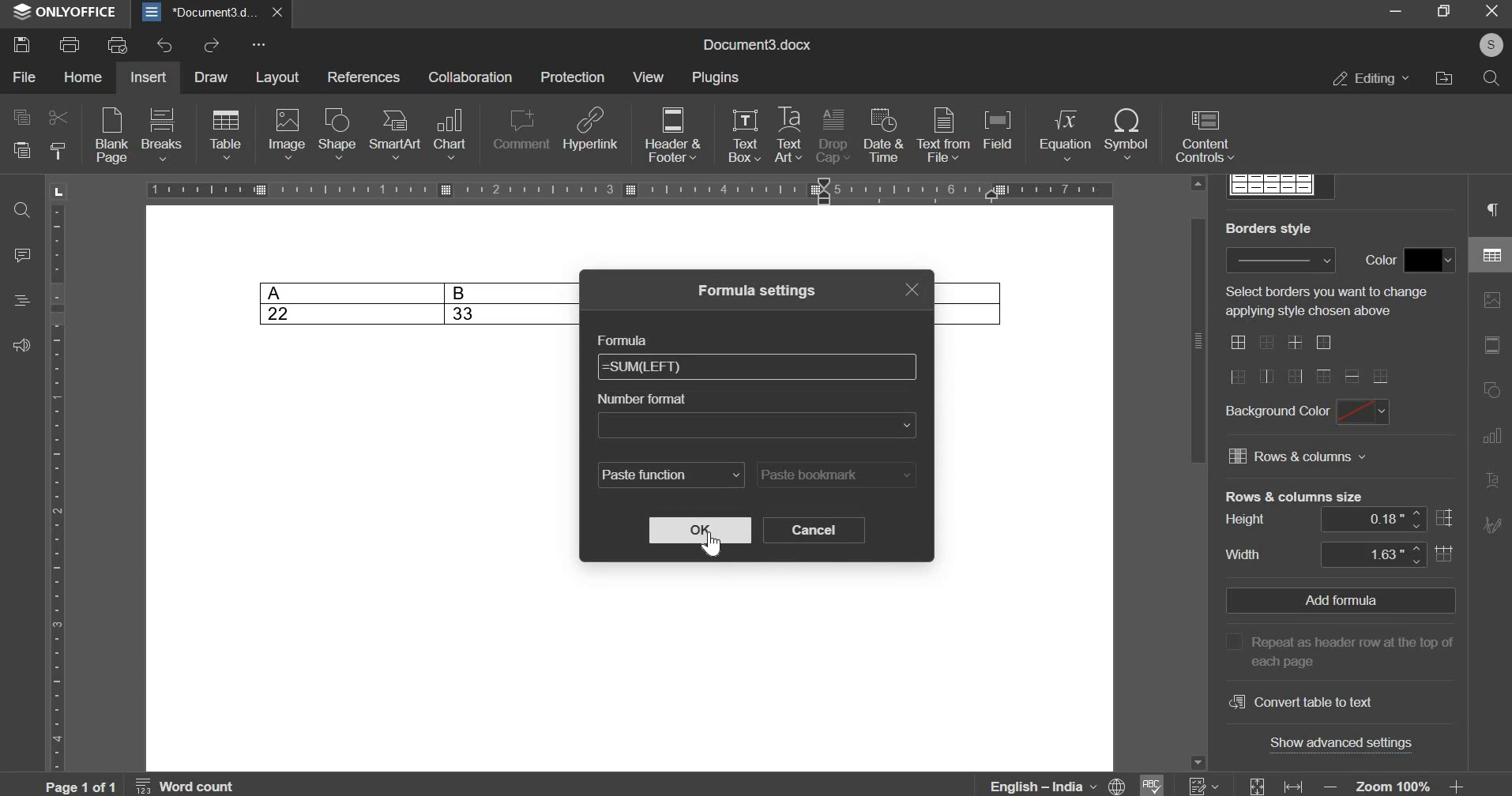 Image resolution: width=1512 pixels, height=796 pixels. Describe the element at coordinates (1456, 785) in the screenshot. I see `increase zoom` at that location.